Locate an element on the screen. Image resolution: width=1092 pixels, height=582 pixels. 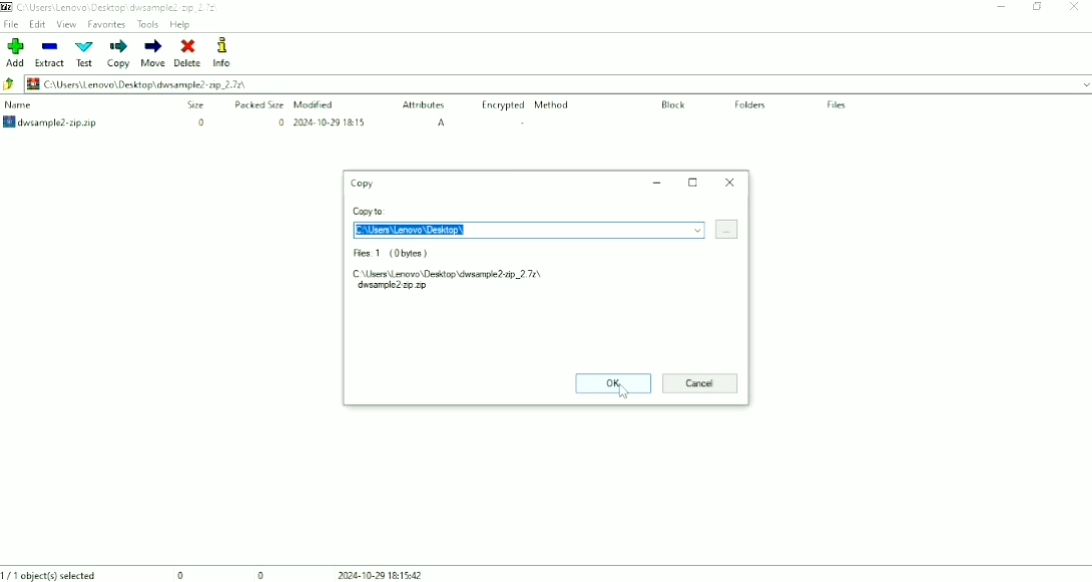
C:\Users\Lenovo\Desktop\dwsample2-zip_2.7z is located at coordinates (135, 84).